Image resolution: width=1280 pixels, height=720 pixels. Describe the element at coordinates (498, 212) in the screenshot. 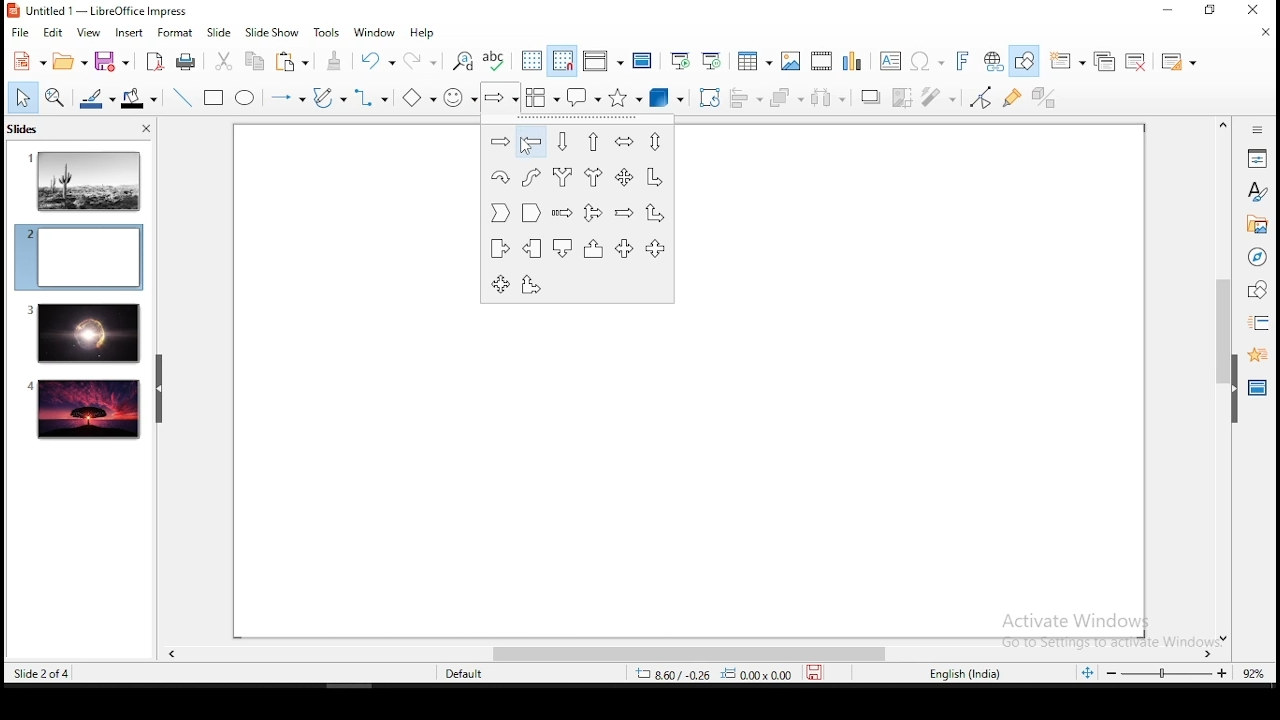

I see `chevron` at that location.